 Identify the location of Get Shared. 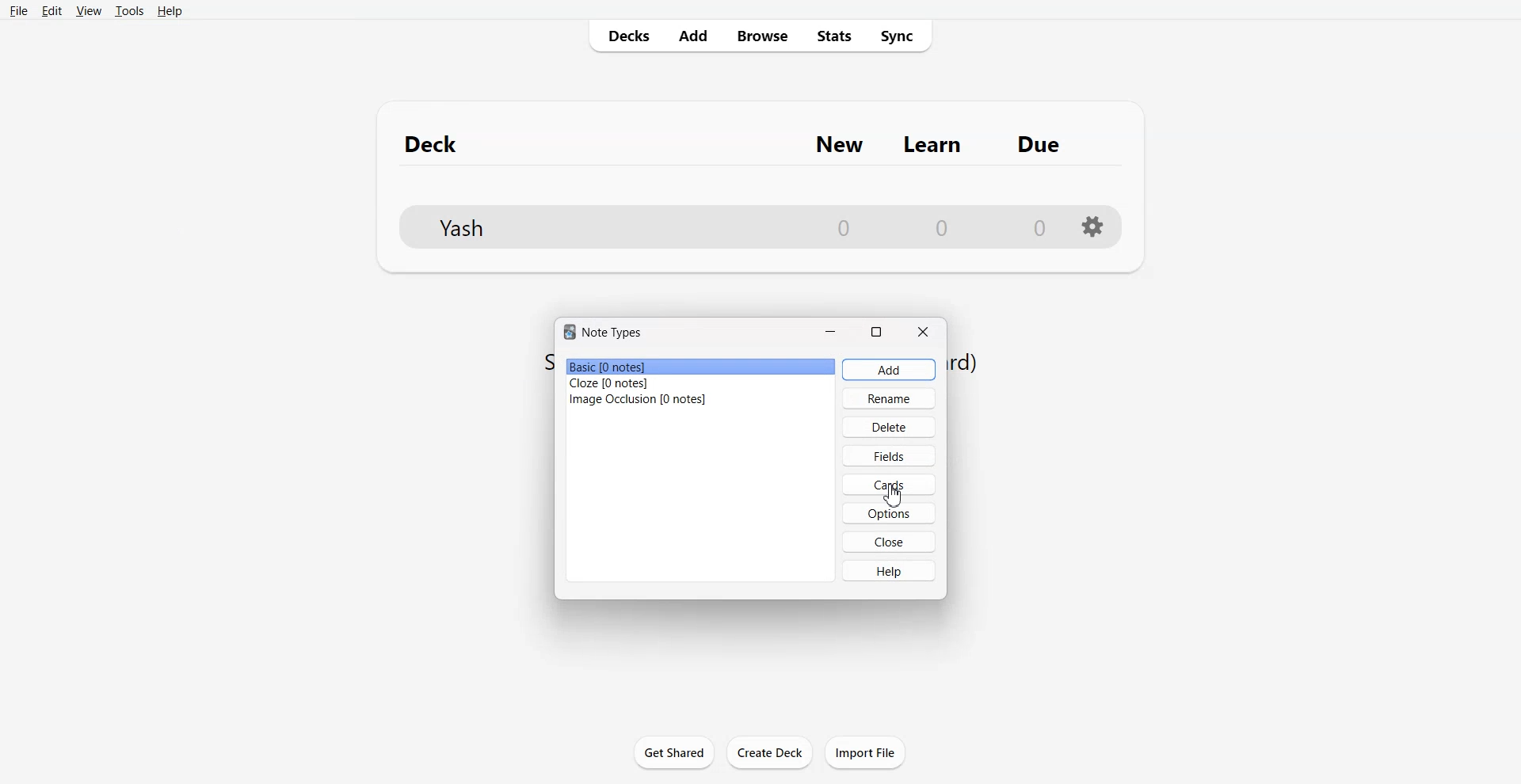
(674, 752).